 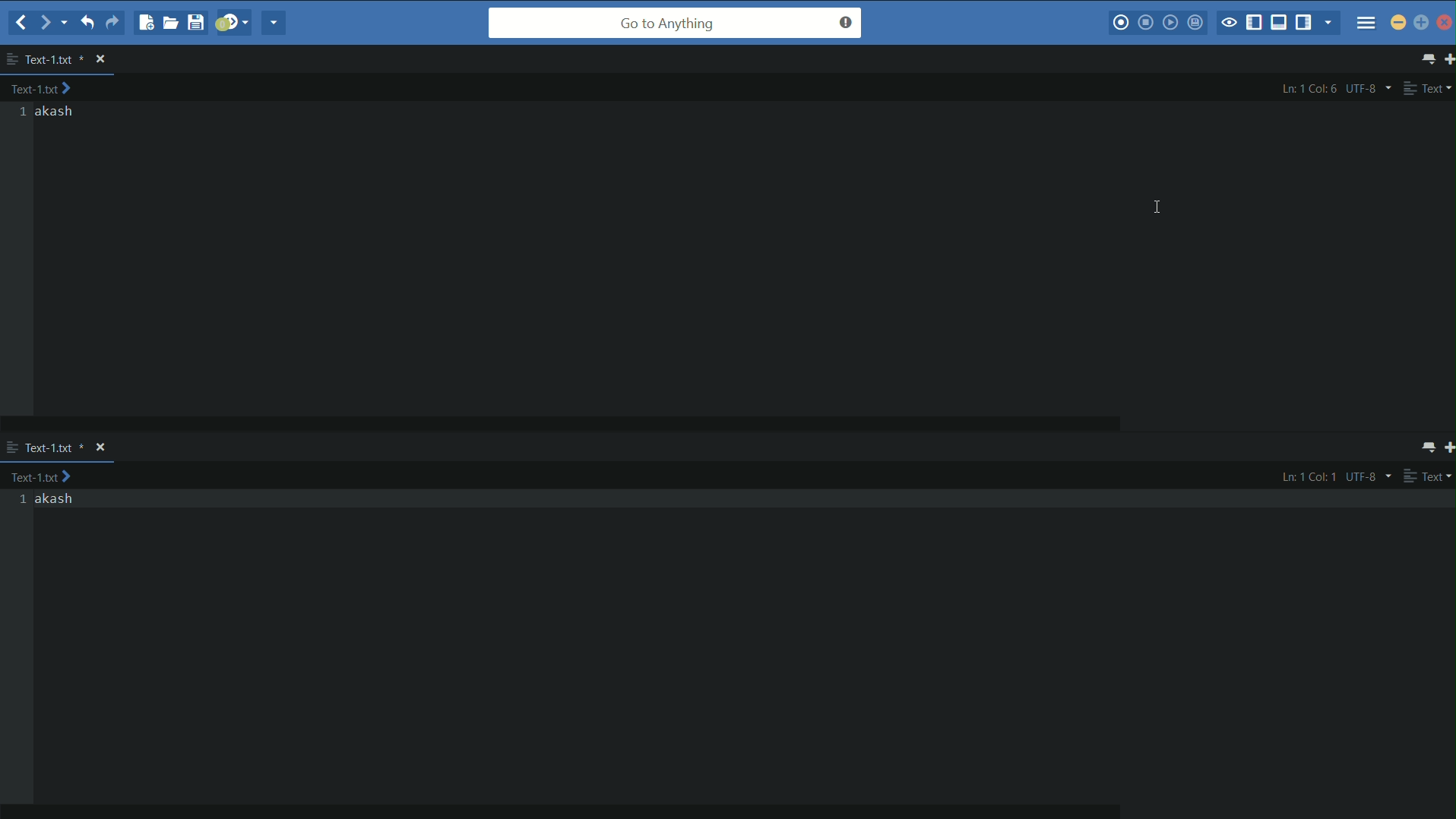 What do you see at coordinates (11, 59) in the screenshot?
I see `more options` at bounding box center [11, 59].